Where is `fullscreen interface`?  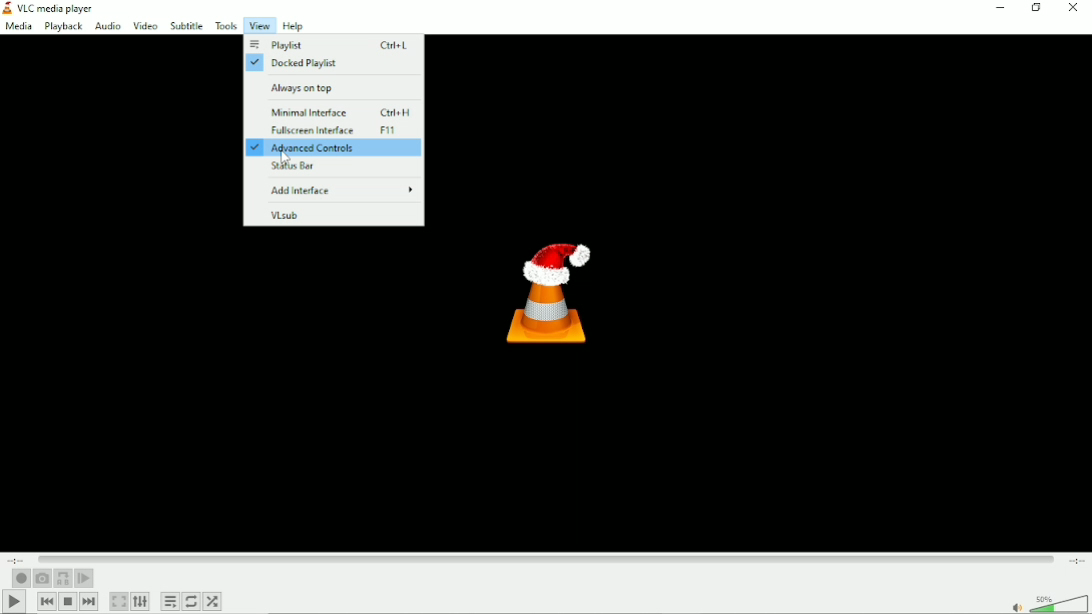
fullscreen interface is located at coordinates (329, 131).